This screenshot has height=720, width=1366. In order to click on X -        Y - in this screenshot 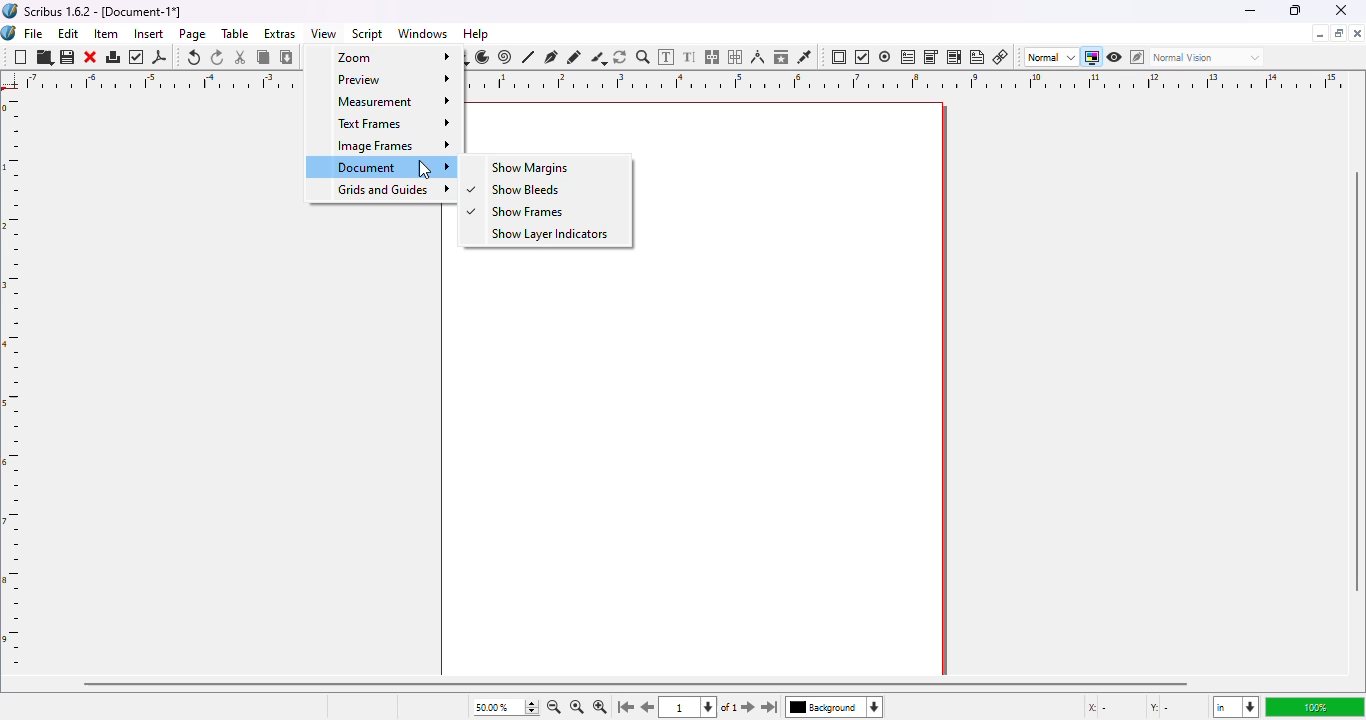, I will do `click(1131, 708)`.